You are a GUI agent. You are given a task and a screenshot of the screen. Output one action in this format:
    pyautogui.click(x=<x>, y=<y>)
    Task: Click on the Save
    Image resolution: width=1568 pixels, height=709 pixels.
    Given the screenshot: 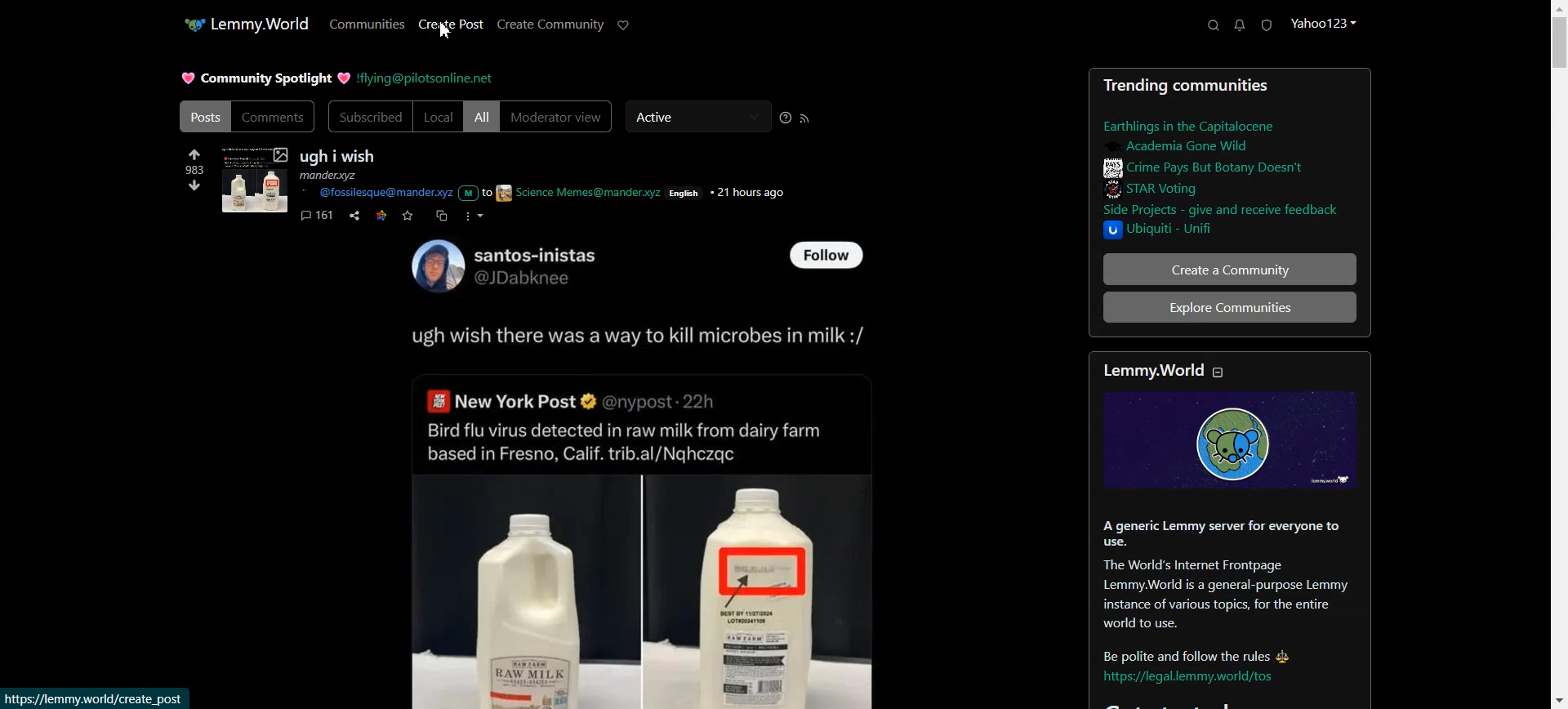 What is the action you would take?
    pyautogui.click(x=408, y=216)
    